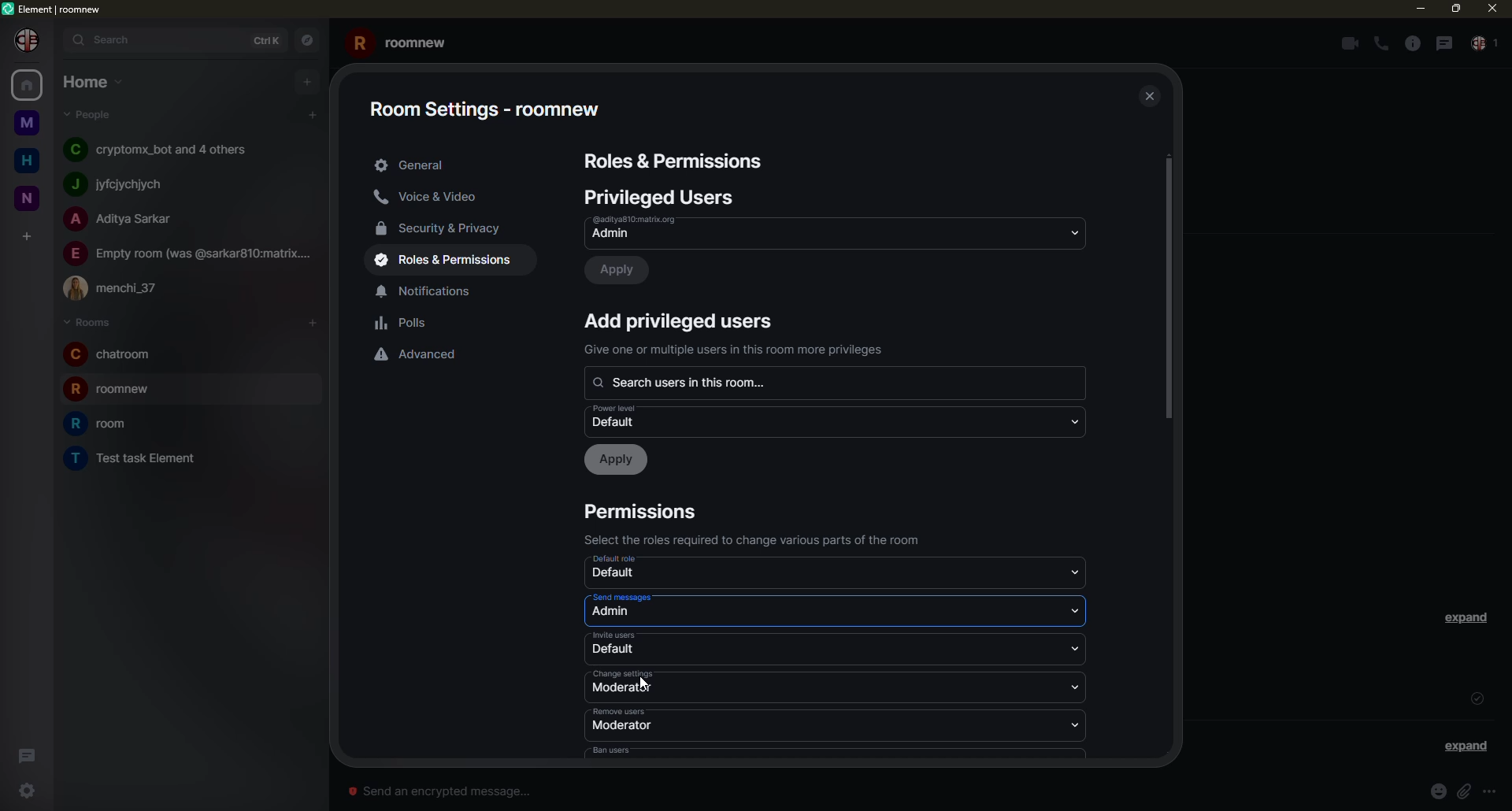 This screenshot has width=1512, height=811. Describe the element at coordinates (1077, 572) in the screenshot. I see `drop` at that location.